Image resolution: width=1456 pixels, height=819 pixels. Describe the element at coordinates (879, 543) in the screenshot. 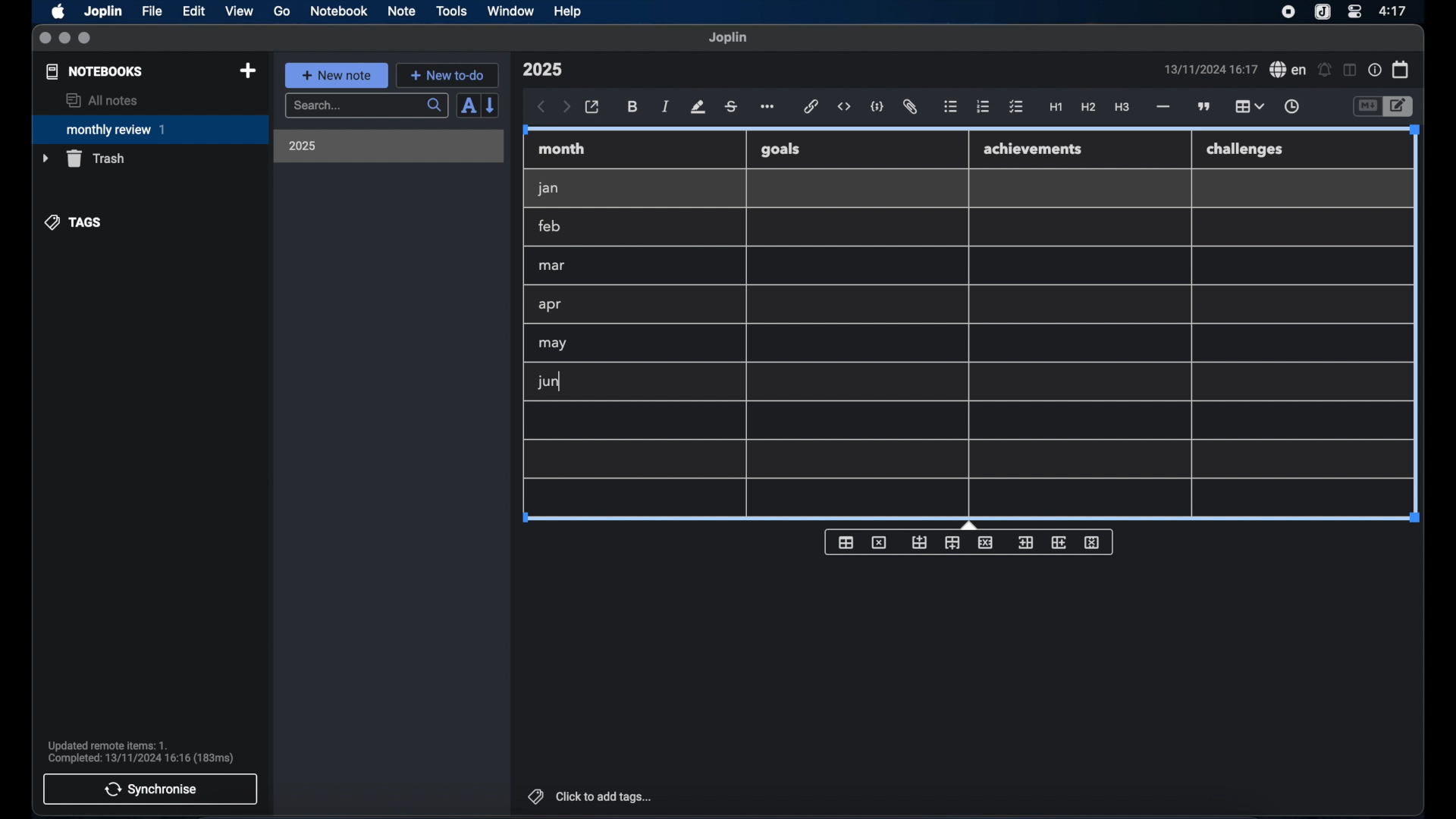

I see `delete table` at that location.